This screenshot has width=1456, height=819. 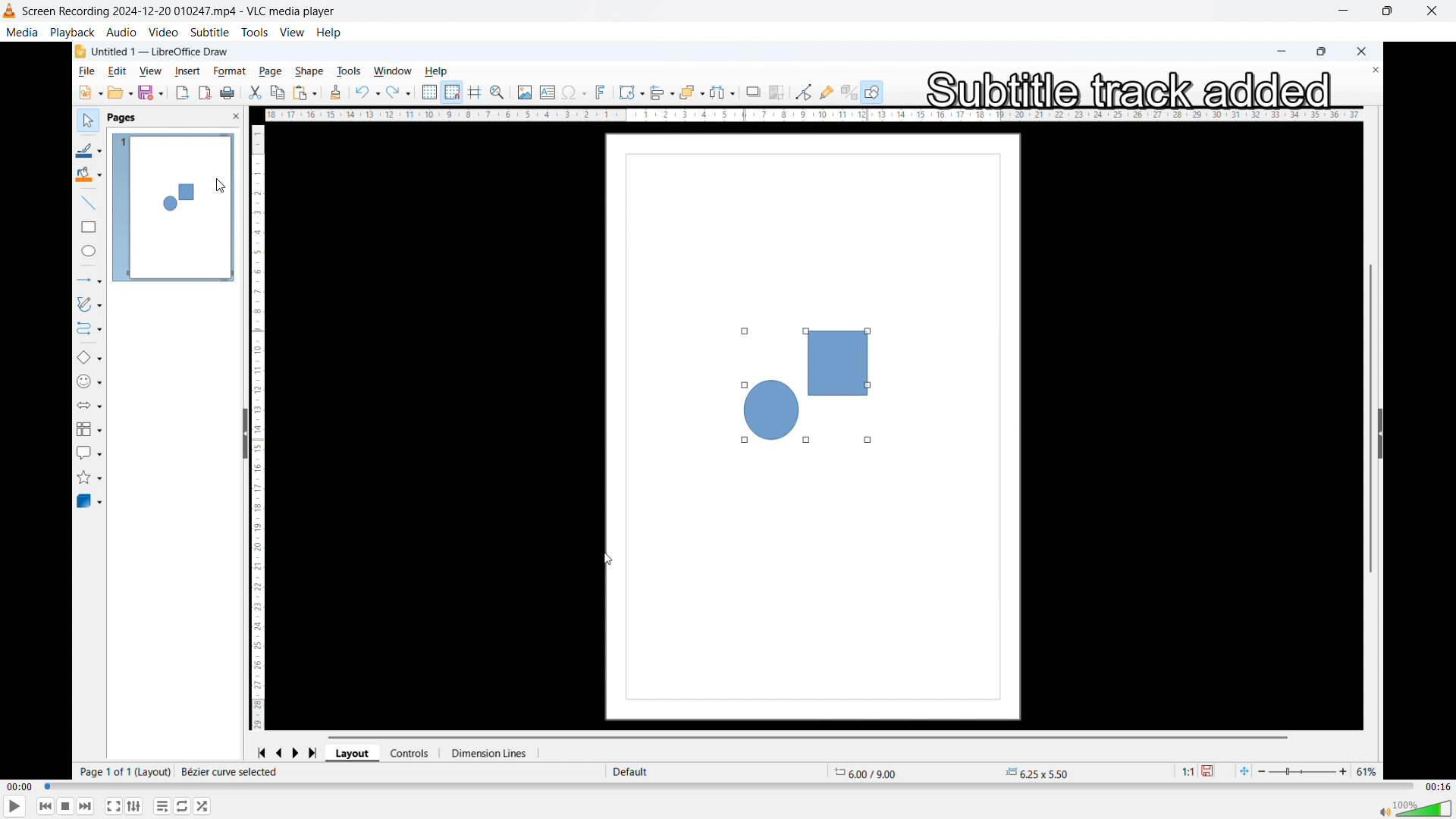 I want to click on elipse, so click(x=86, y=253).